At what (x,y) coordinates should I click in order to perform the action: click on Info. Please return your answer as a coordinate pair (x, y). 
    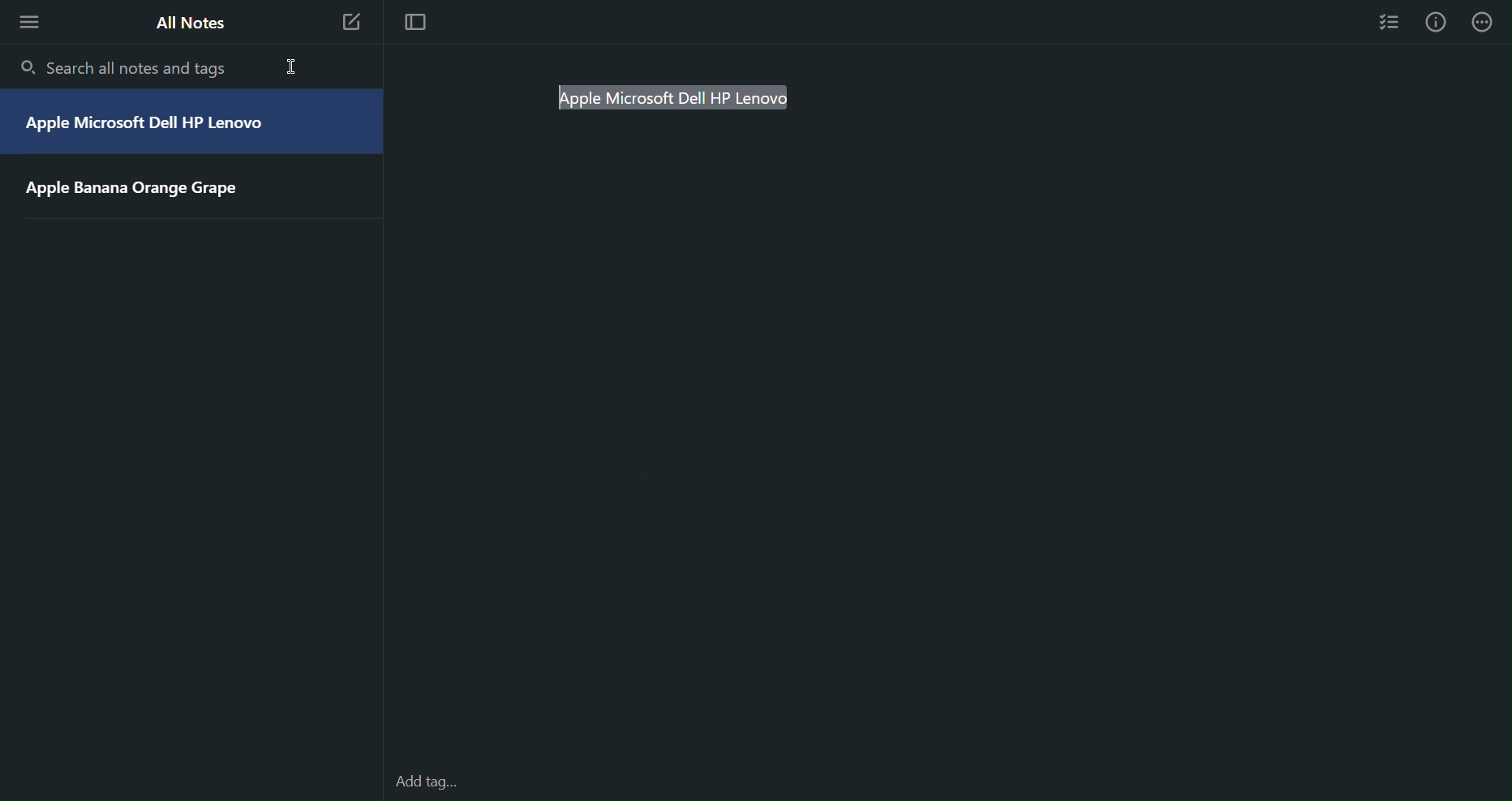
    Looking at the image, I should click on (1441, 23).